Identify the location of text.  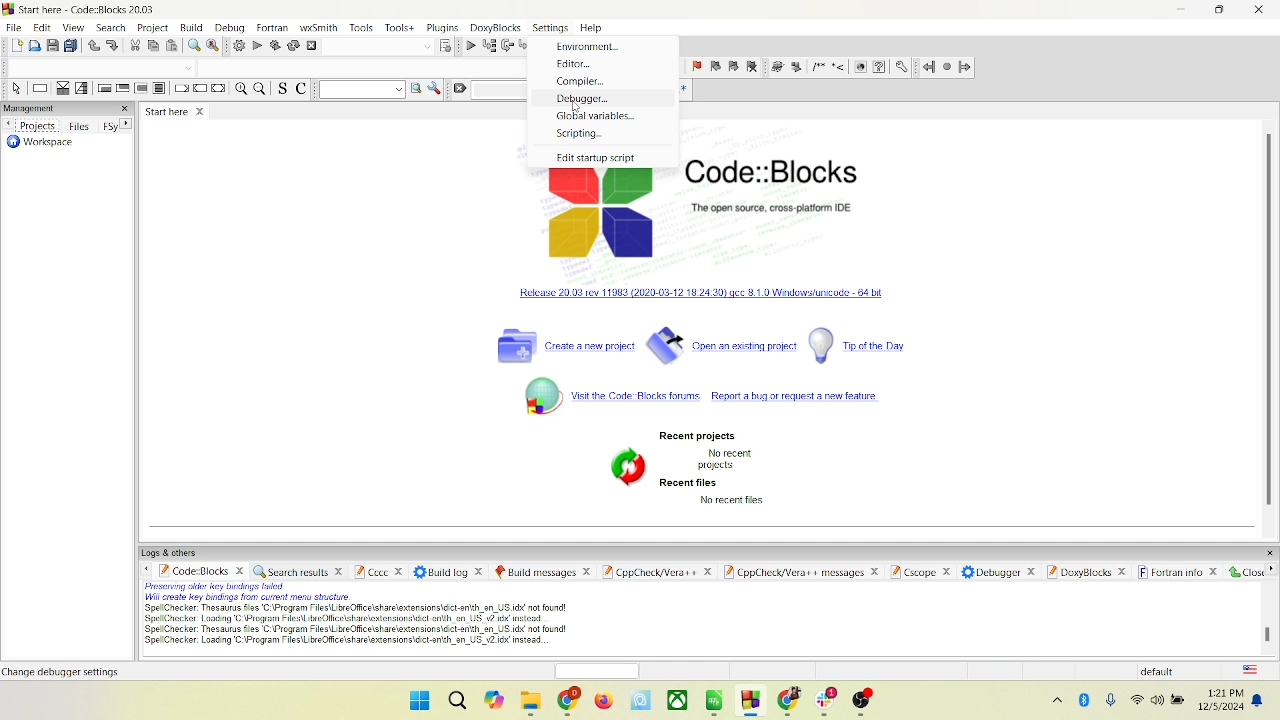
(351, 615).